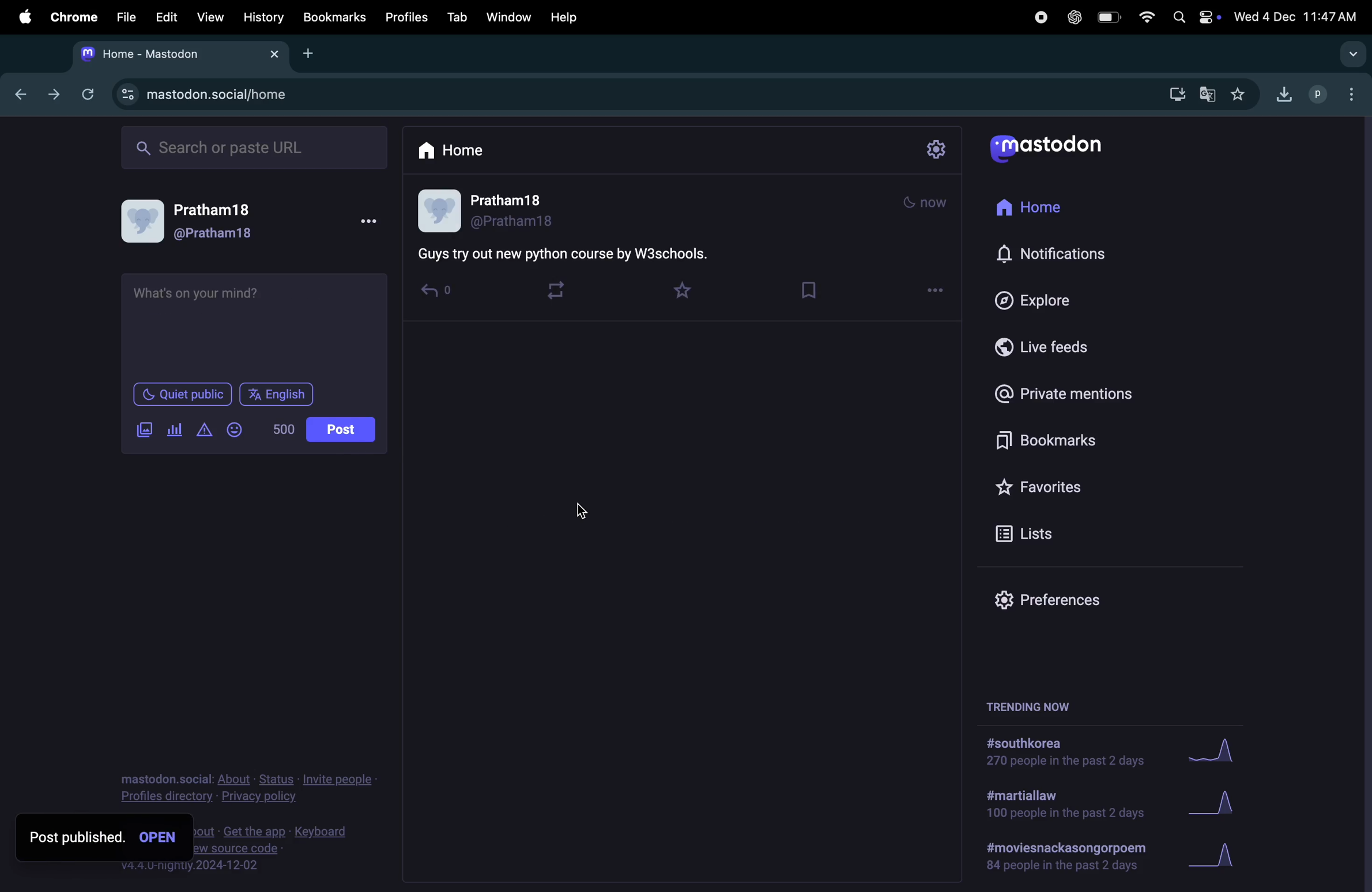 This screenshot has height=892, width=1372. What do you see at coordinates (1297, 14) in the screenshot?
I see `Date and time` at bounding box center [1297, 14].